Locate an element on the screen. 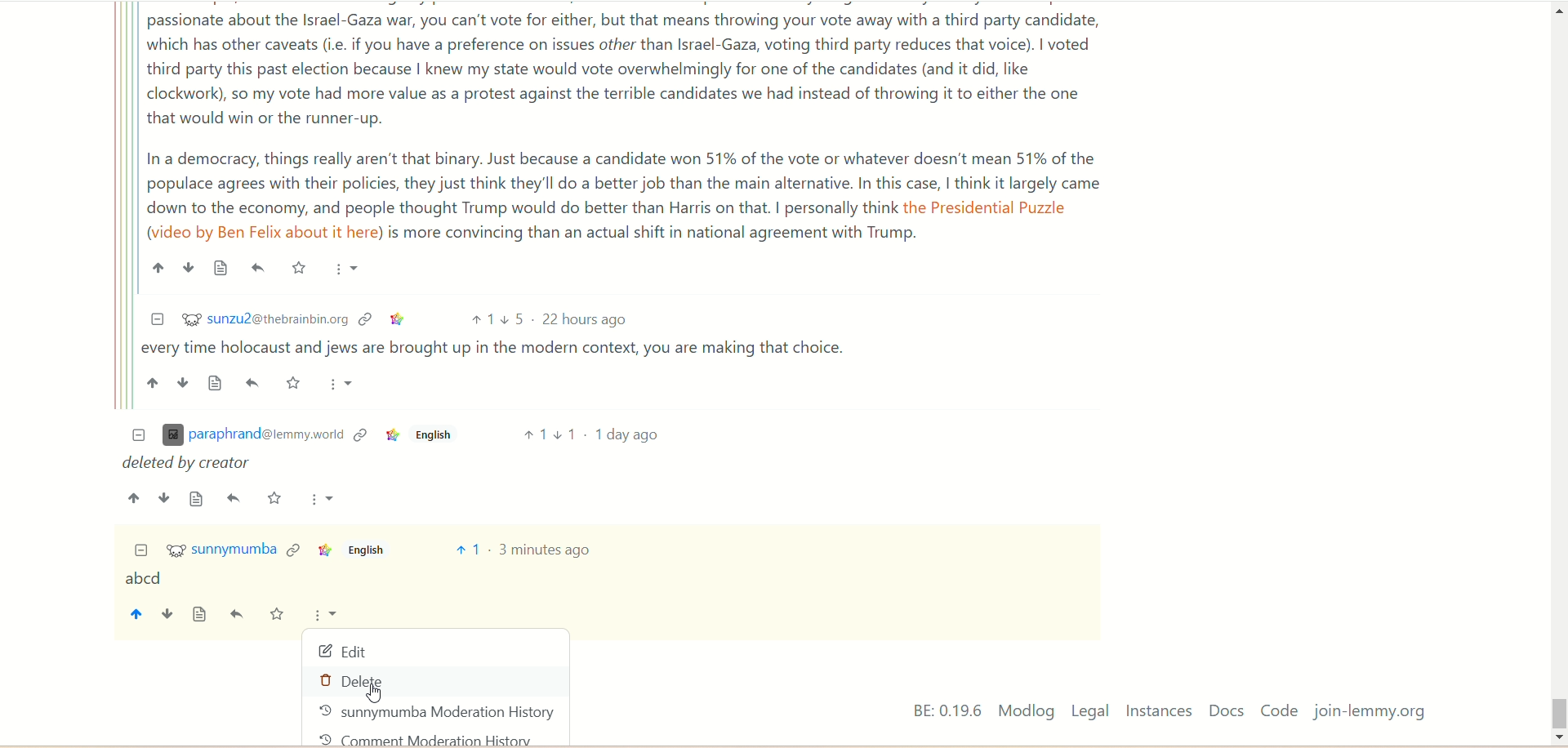  For example, Biden didn't meaningfully push back on Israel, and | doubt Trump would do anything differently. So if you are super
passionate about the Israel-Gaza war, you can't vote for either, but that means throwing your vote away with a third party candidate,
which has other caveats (i.e. if you have a preference on issues other than Israel-Gaza, voting third party reduces that voice). | voted
third party this past election because | knew my state would vote overwhelmingly for one of the candidates (and it did, like
clockwork), so my vote had more value as a protest against the terrible candidates we had instead of throwing it to either the one
that would win or the runner-up.

In a democracy, things really aren't that binary. Just because a candidate won 51% of the vote or whatever doesn't mean 51% of the
populace agrees with their policies, they just think they'll do a better job than the main alternative. In this case, | think it largely came
down to the economy, and people thought Trump would do better than Harris on that. | personally think the Presidential Puzzle
(video by Ben Felix about it here) is more convincing than an actual shift in national agreement with Trump. is located at coordinates (628, 125).